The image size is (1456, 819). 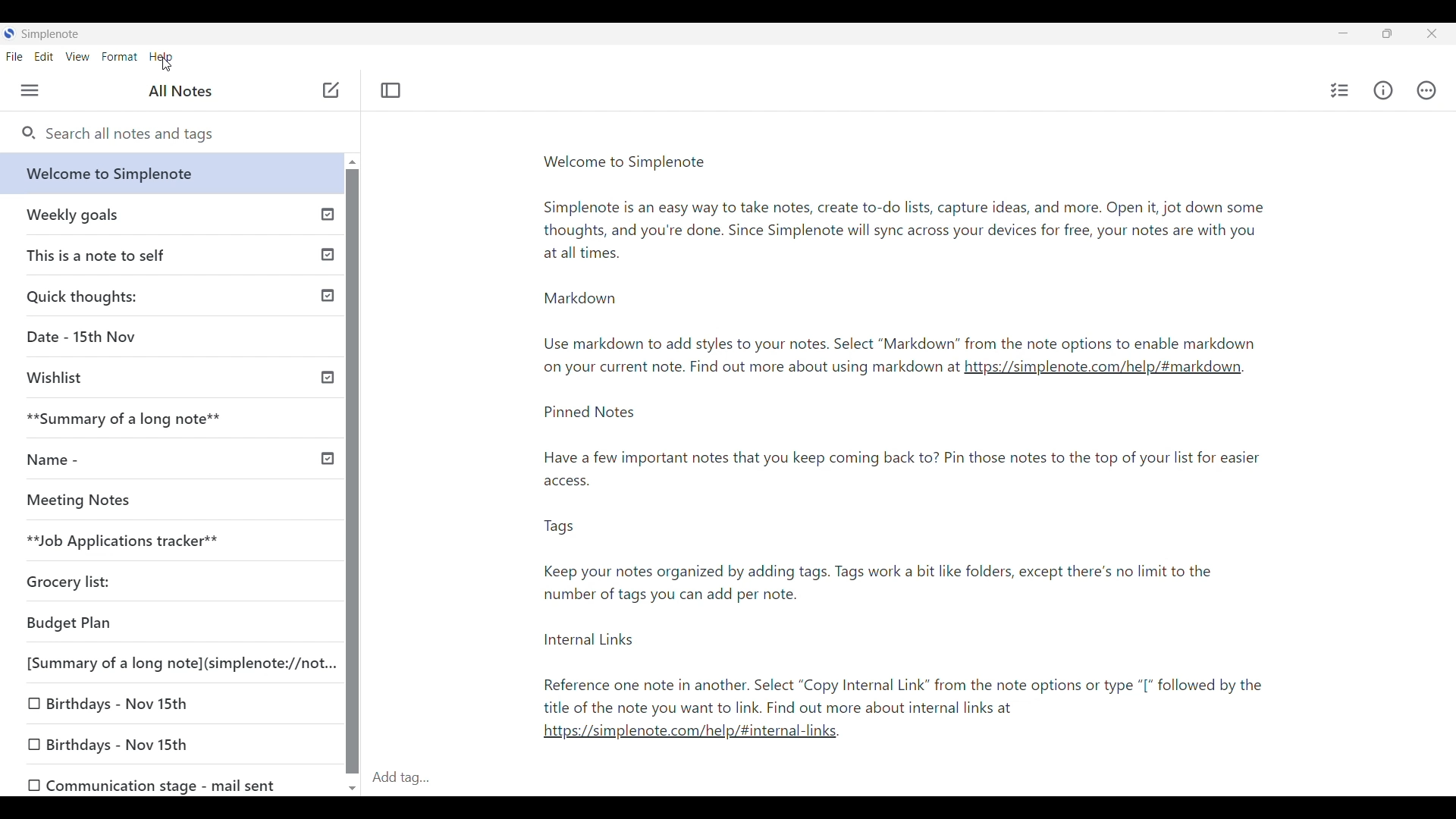 What do you see at coordinates (1104, 368) in the screenshot?
I see `link1` at bounding box center [1104, 368].